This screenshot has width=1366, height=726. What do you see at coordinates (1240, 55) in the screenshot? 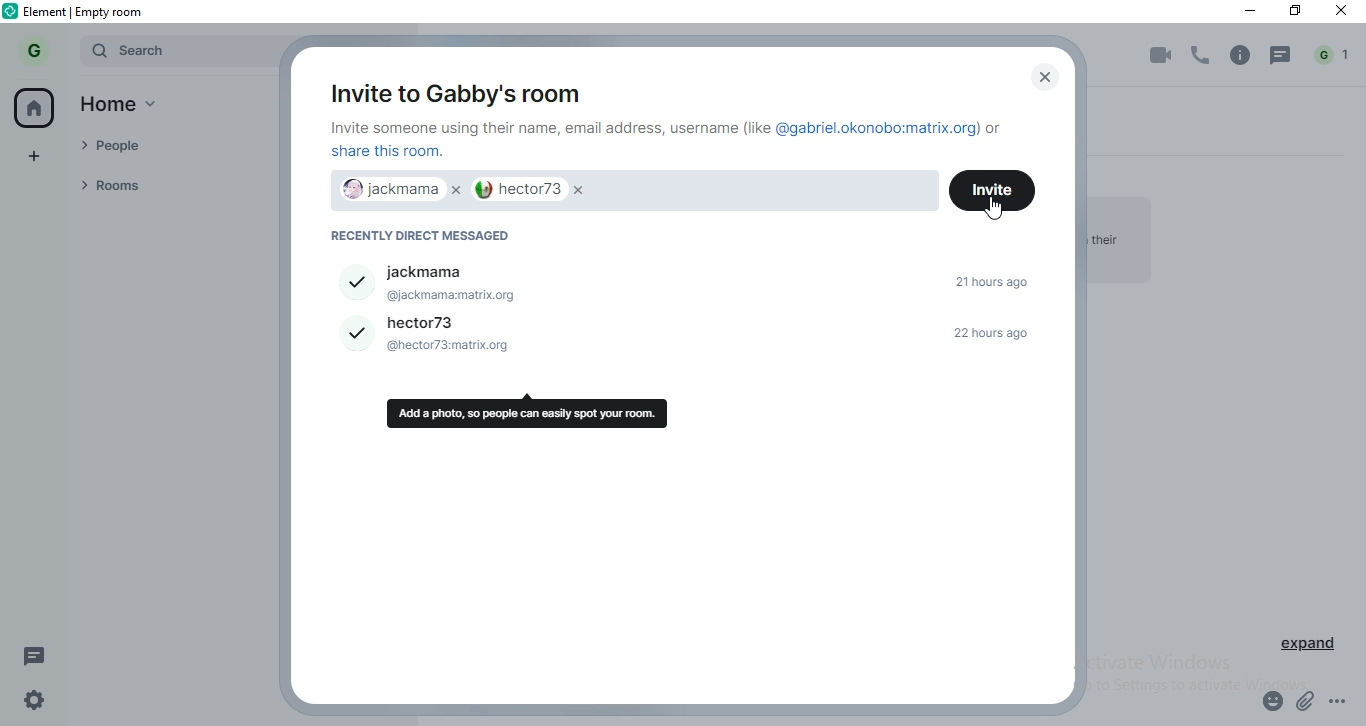
I see `info` at bounding box center [1240, 55].